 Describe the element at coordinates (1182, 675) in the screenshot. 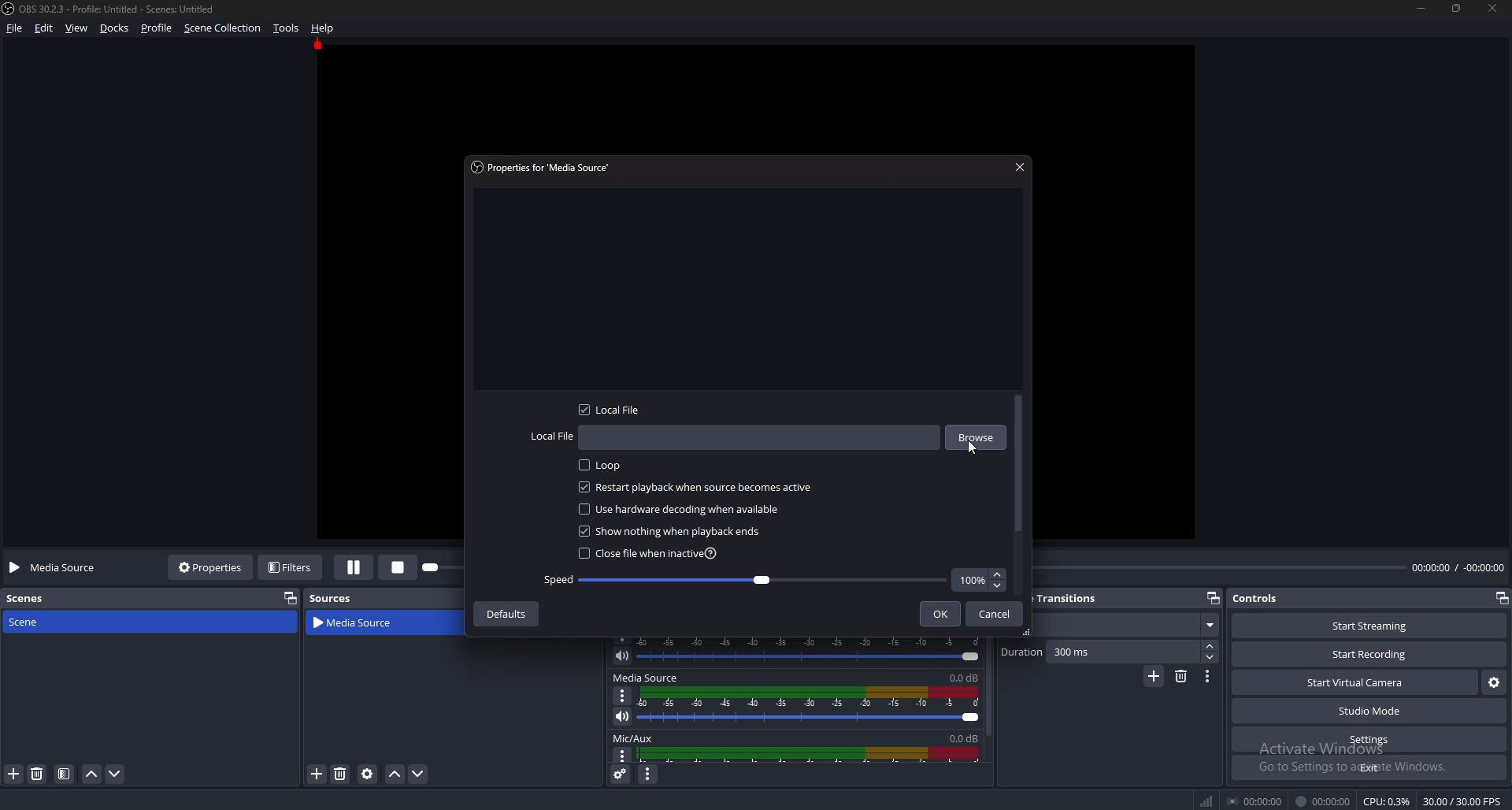

I see `Remove configurable transitions` at that location.